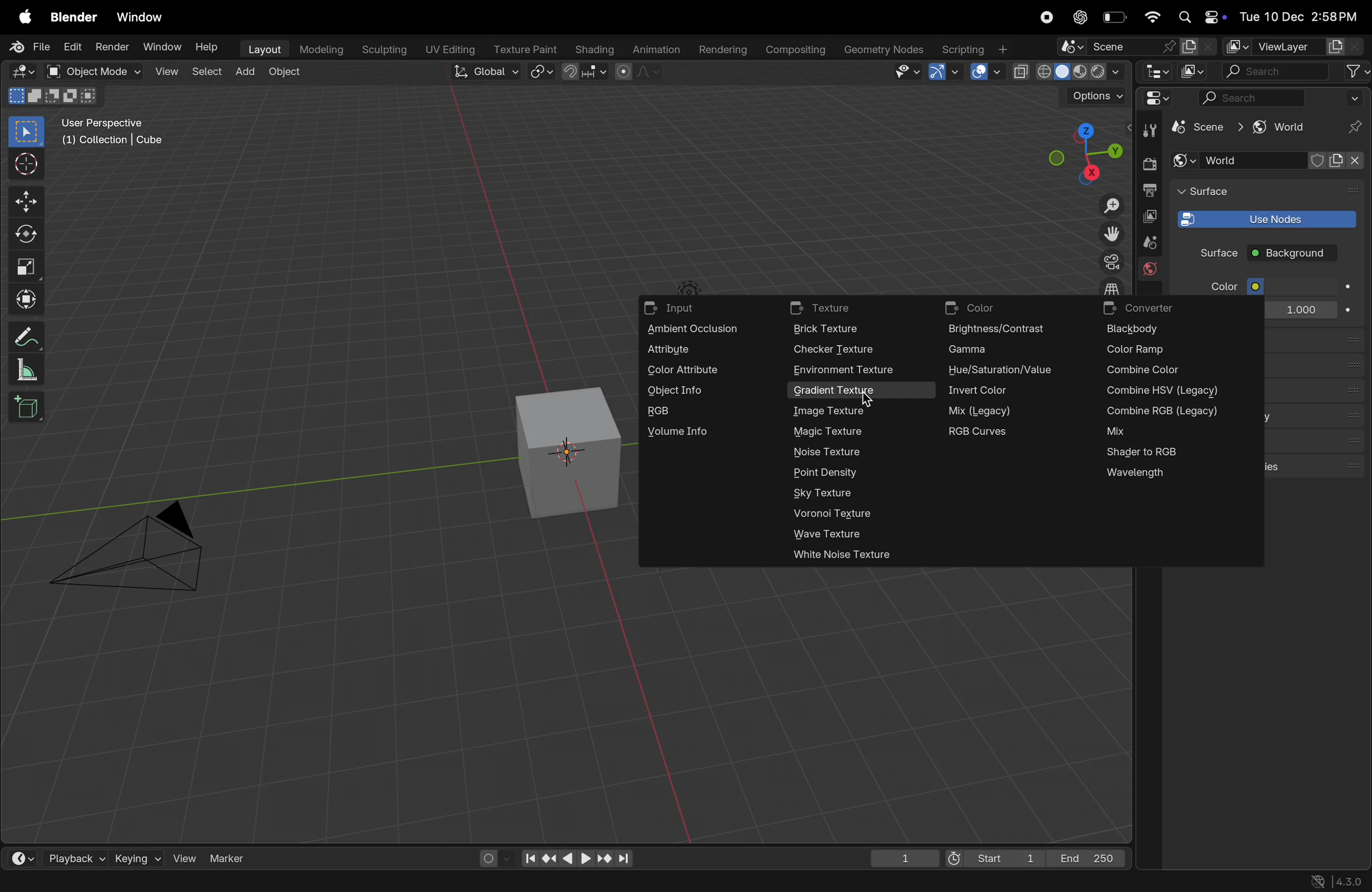 This screenshot has height=892, width=1372. Describe the element at coordinates (18, 855) in the screenshot. I see `view` at that location.